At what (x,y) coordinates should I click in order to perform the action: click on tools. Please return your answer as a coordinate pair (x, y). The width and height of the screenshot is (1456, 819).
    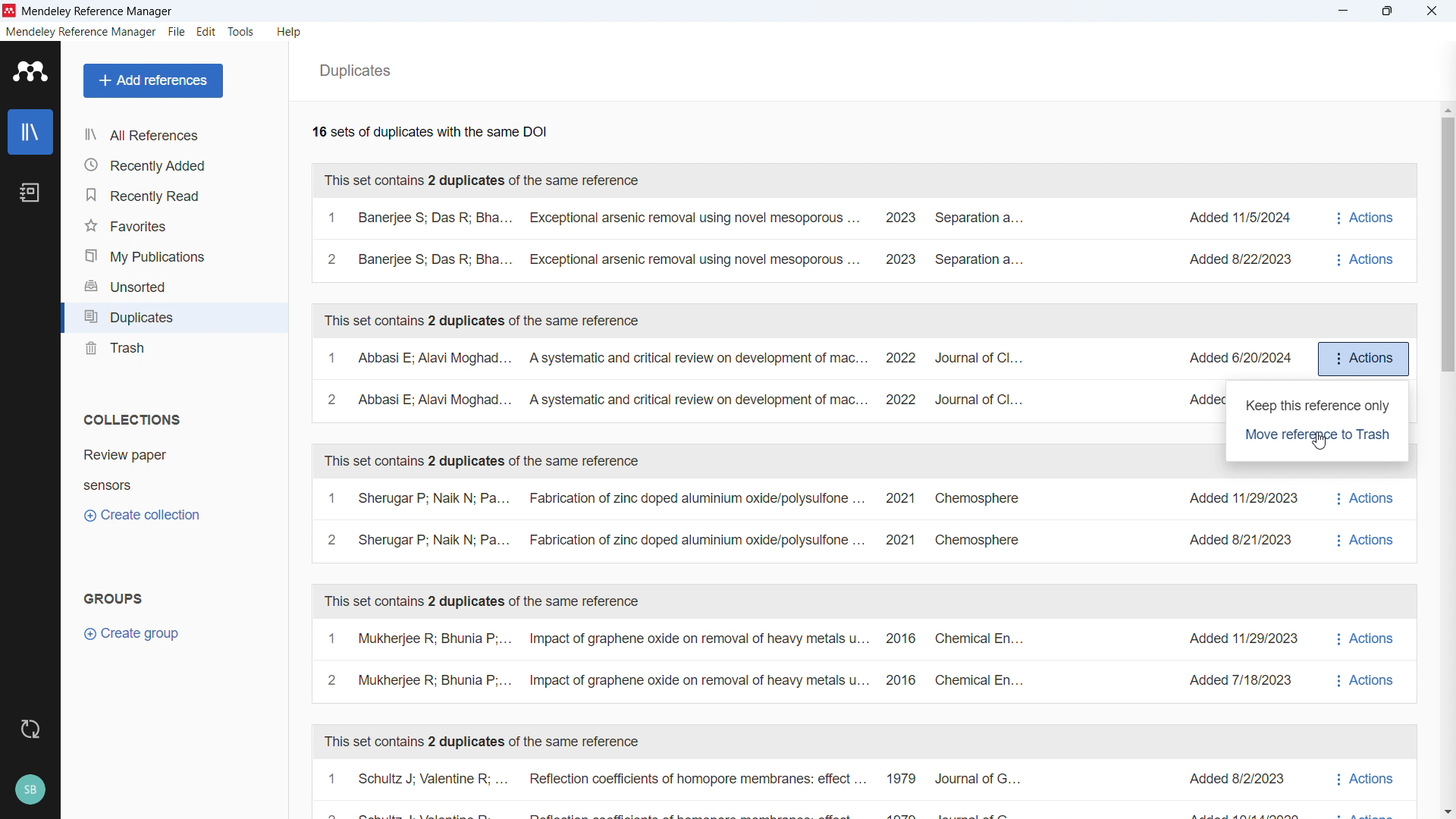
    Looking at the image, I should click on (241, 32).